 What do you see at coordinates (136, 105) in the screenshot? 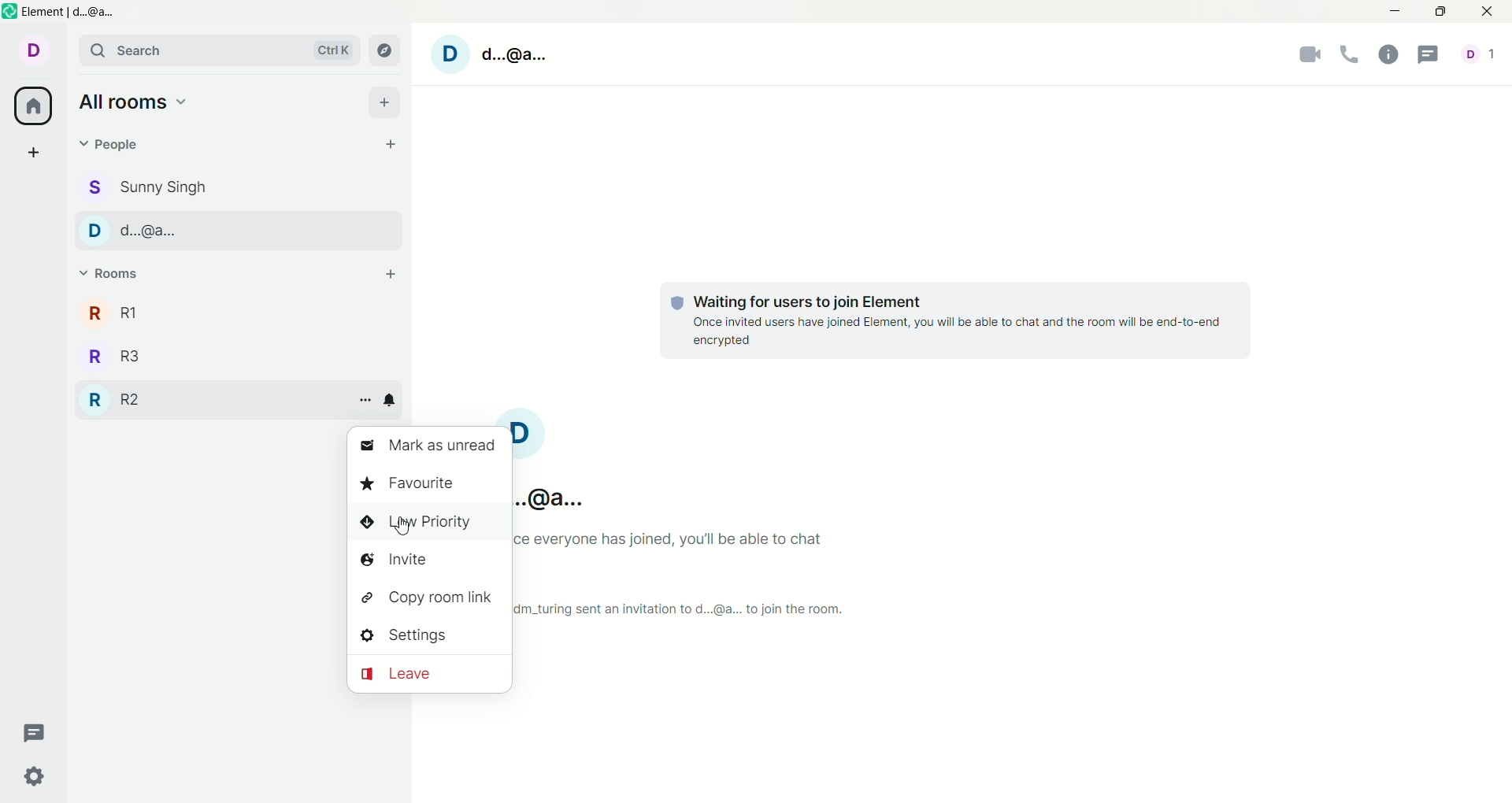
I see `all rooms` at bounding box center [136, 105].